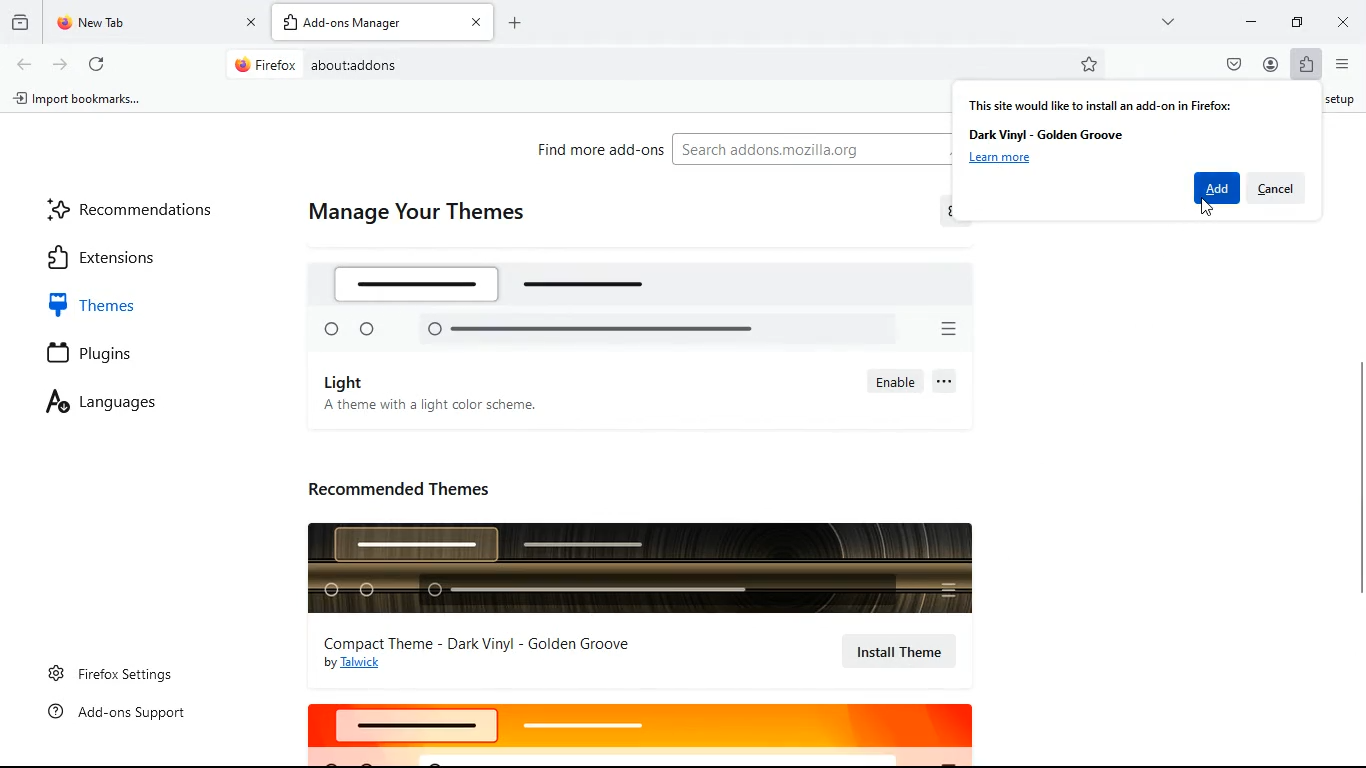  Describe the element at coordinates (359, 664) in the screenshot. I see `by Talwick` at that location.